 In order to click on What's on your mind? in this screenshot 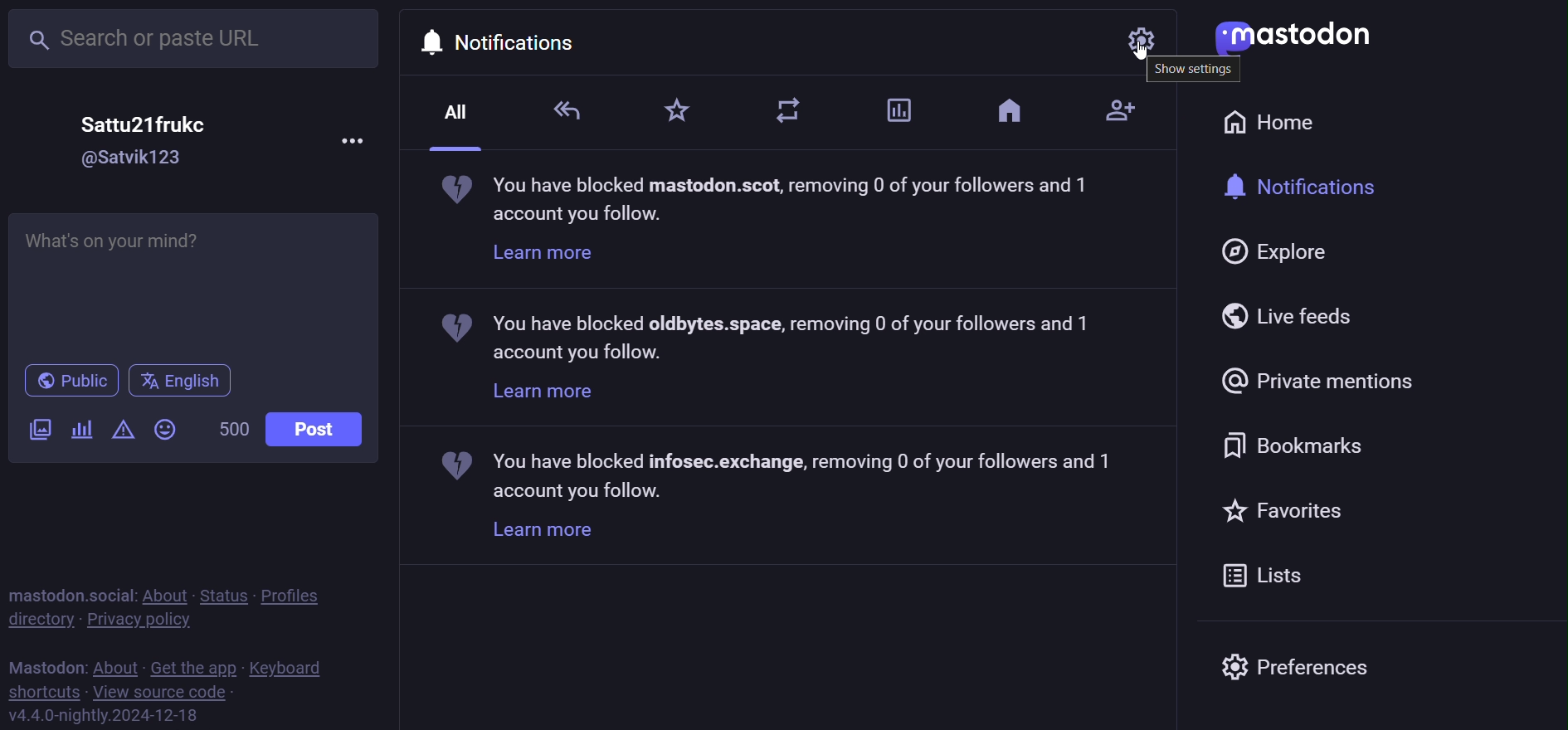, I will do `click(196, 285)`.